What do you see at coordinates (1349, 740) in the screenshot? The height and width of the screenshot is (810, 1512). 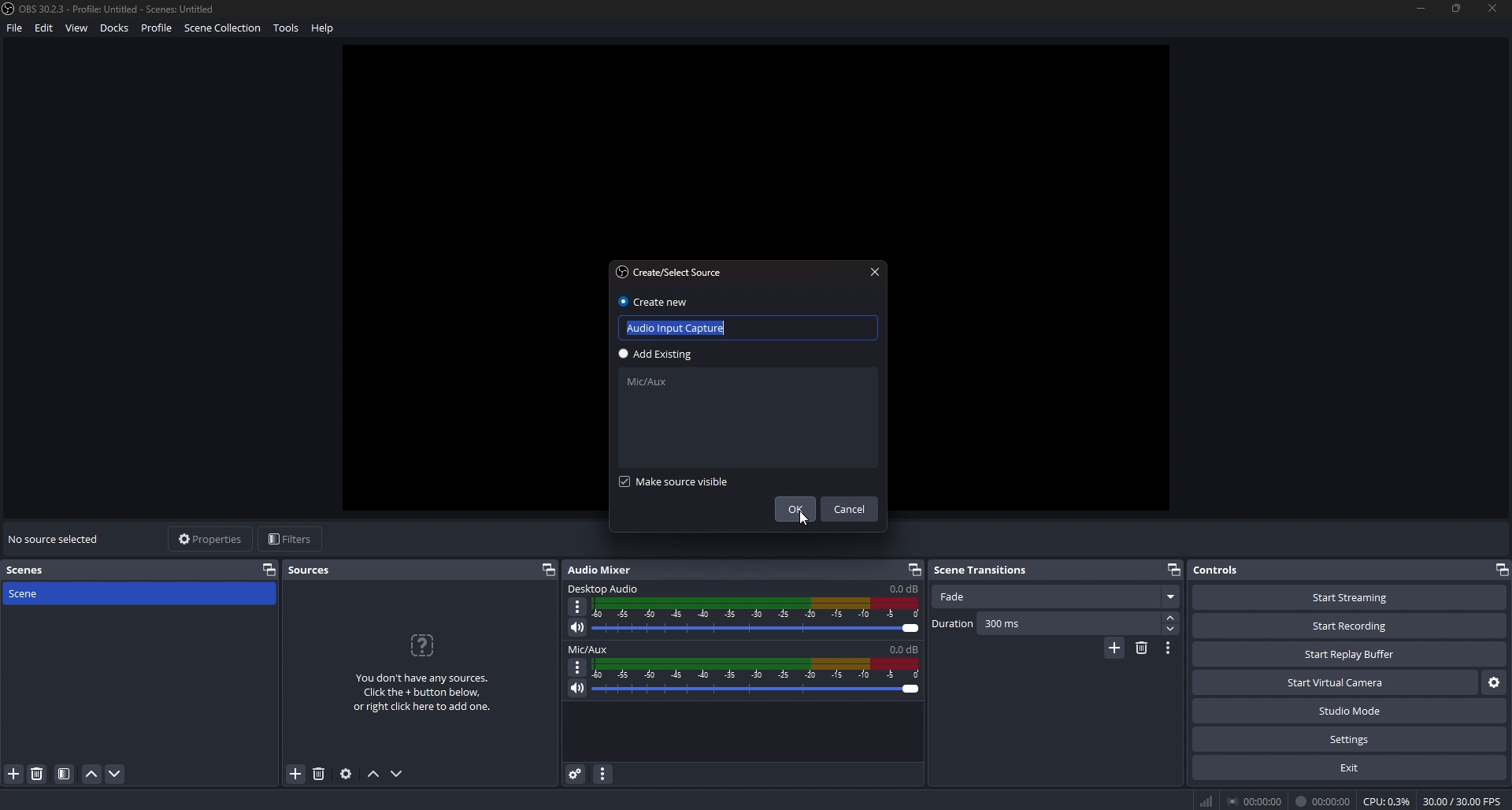 I see `settings` at bounding box center [1349, 740].